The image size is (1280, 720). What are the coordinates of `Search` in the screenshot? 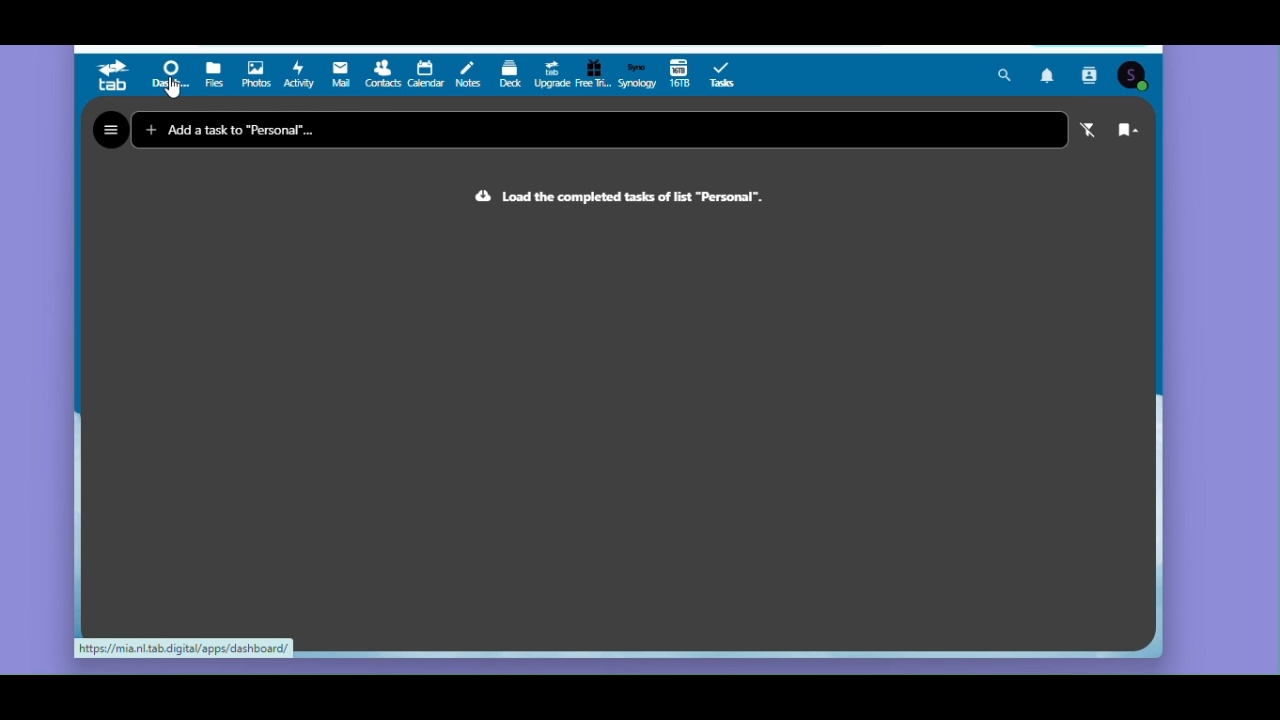 It's located at (1006, 76).